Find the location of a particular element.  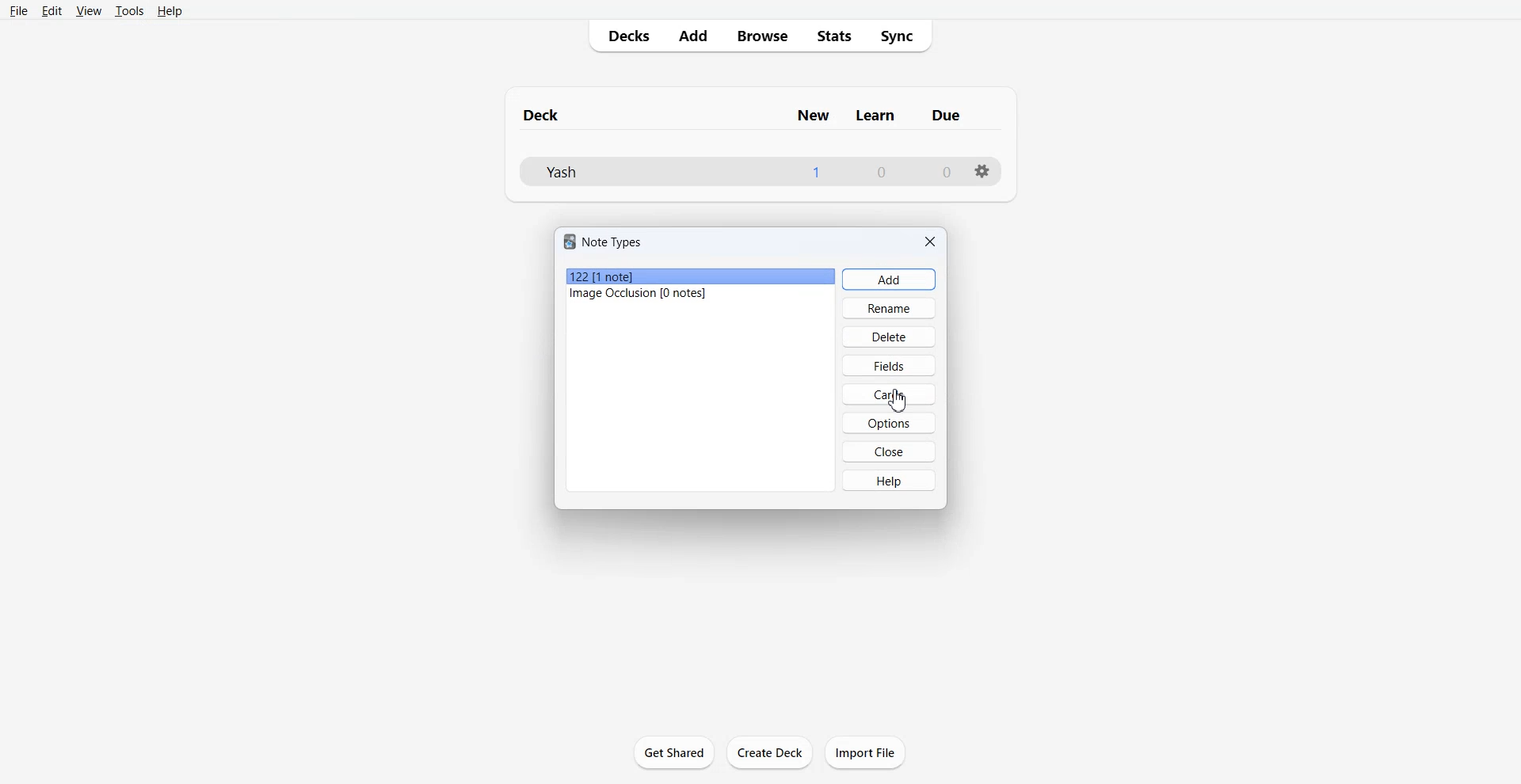

Get Shared is located at coordinates (673, 751).